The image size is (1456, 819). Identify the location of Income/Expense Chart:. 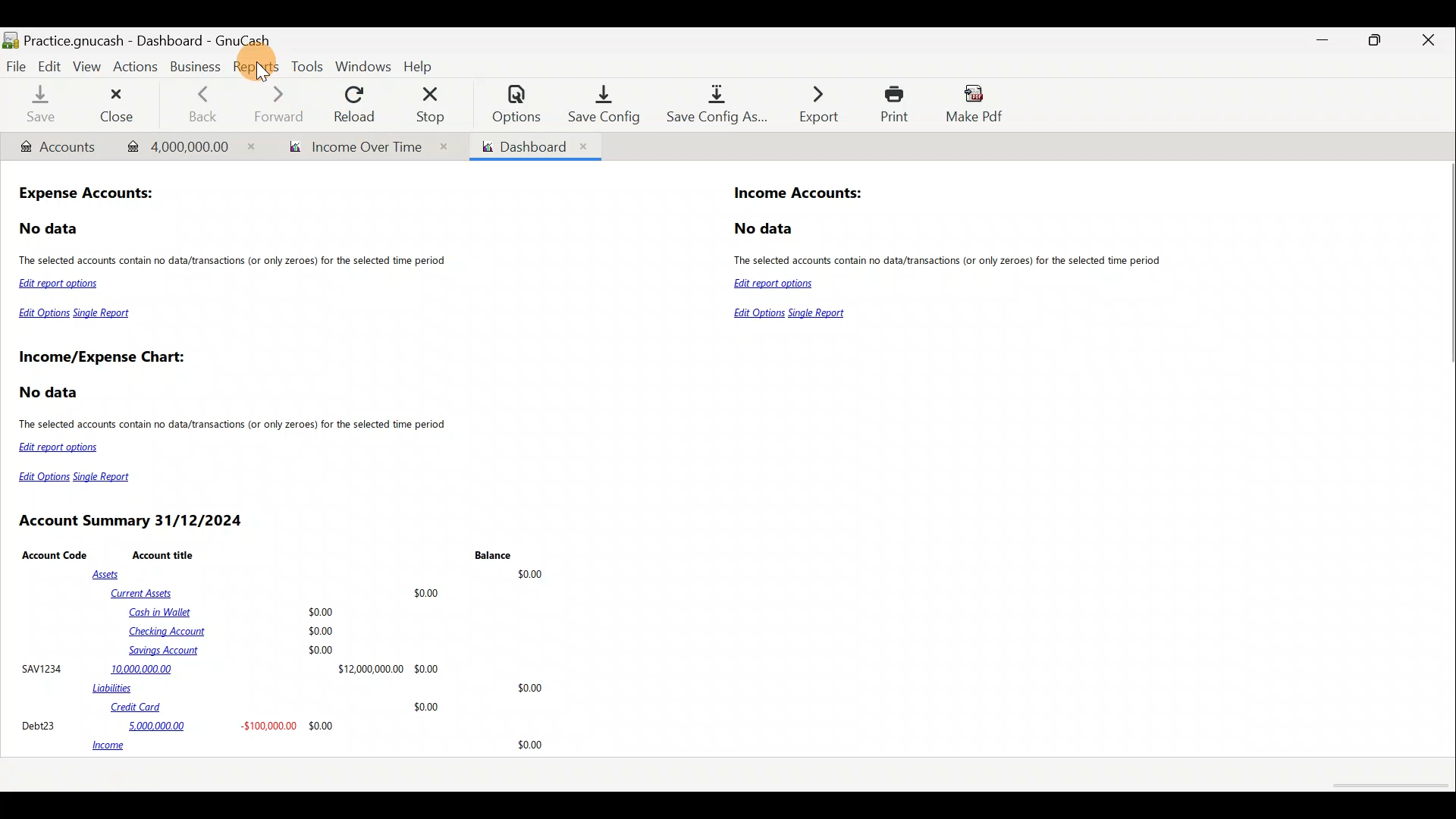
(102, 359).